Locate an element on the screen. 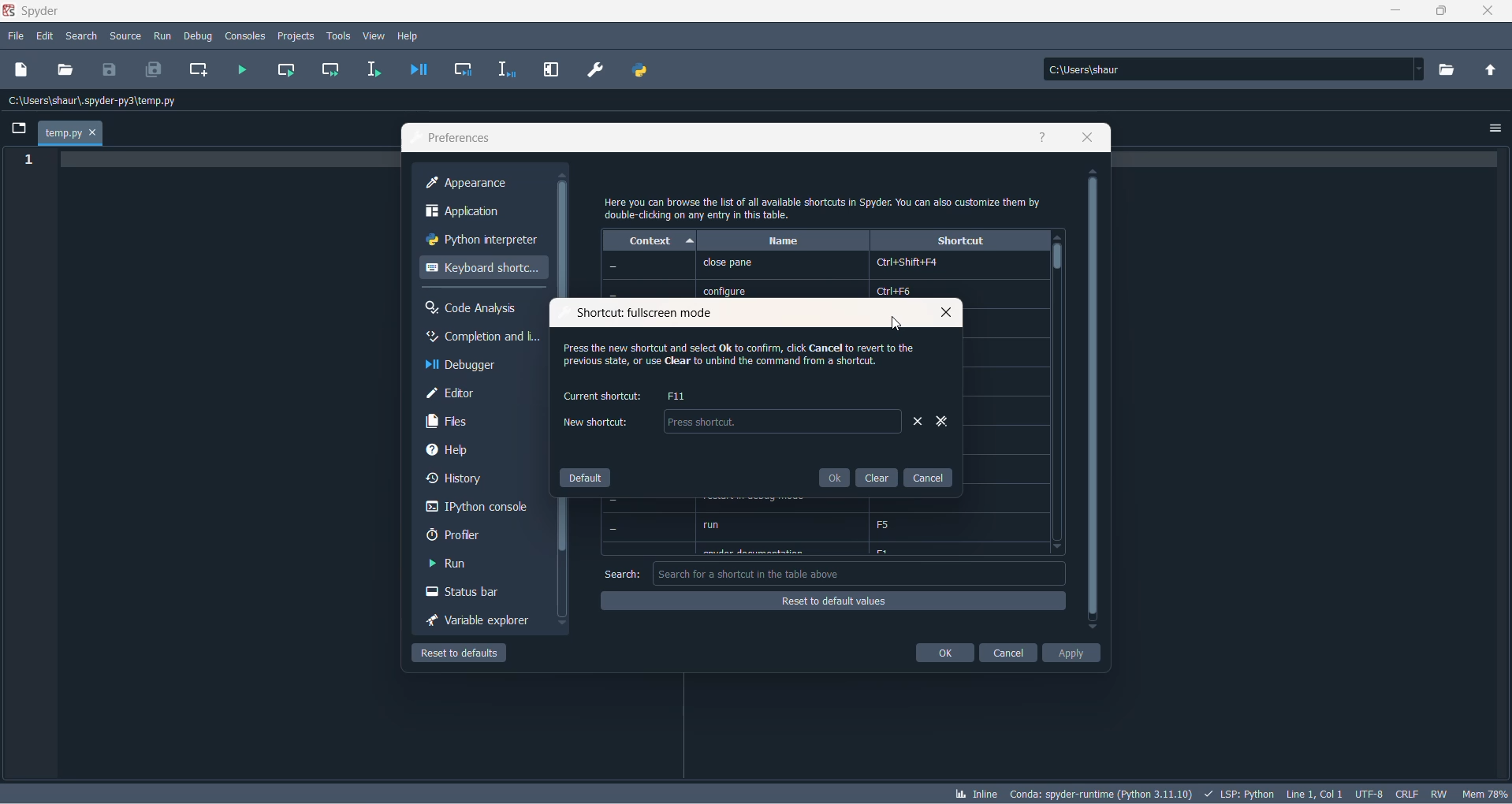 The height and width of the screenshot is (804, 1512). context heading is located at coordinates (650, 241).